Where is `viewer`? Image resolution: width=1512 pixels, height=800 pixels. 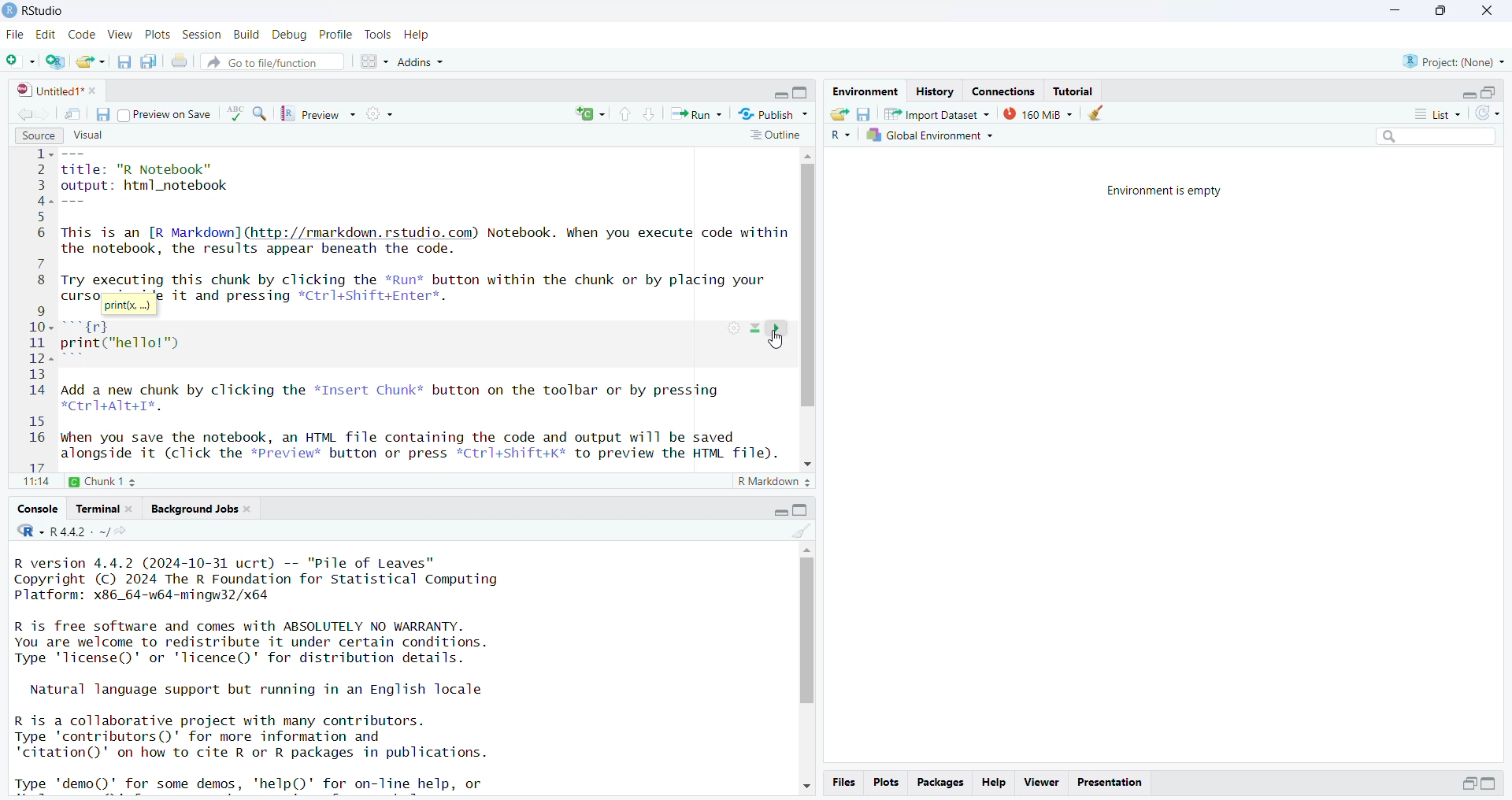 viewer is located at coordinates (1041, 783).